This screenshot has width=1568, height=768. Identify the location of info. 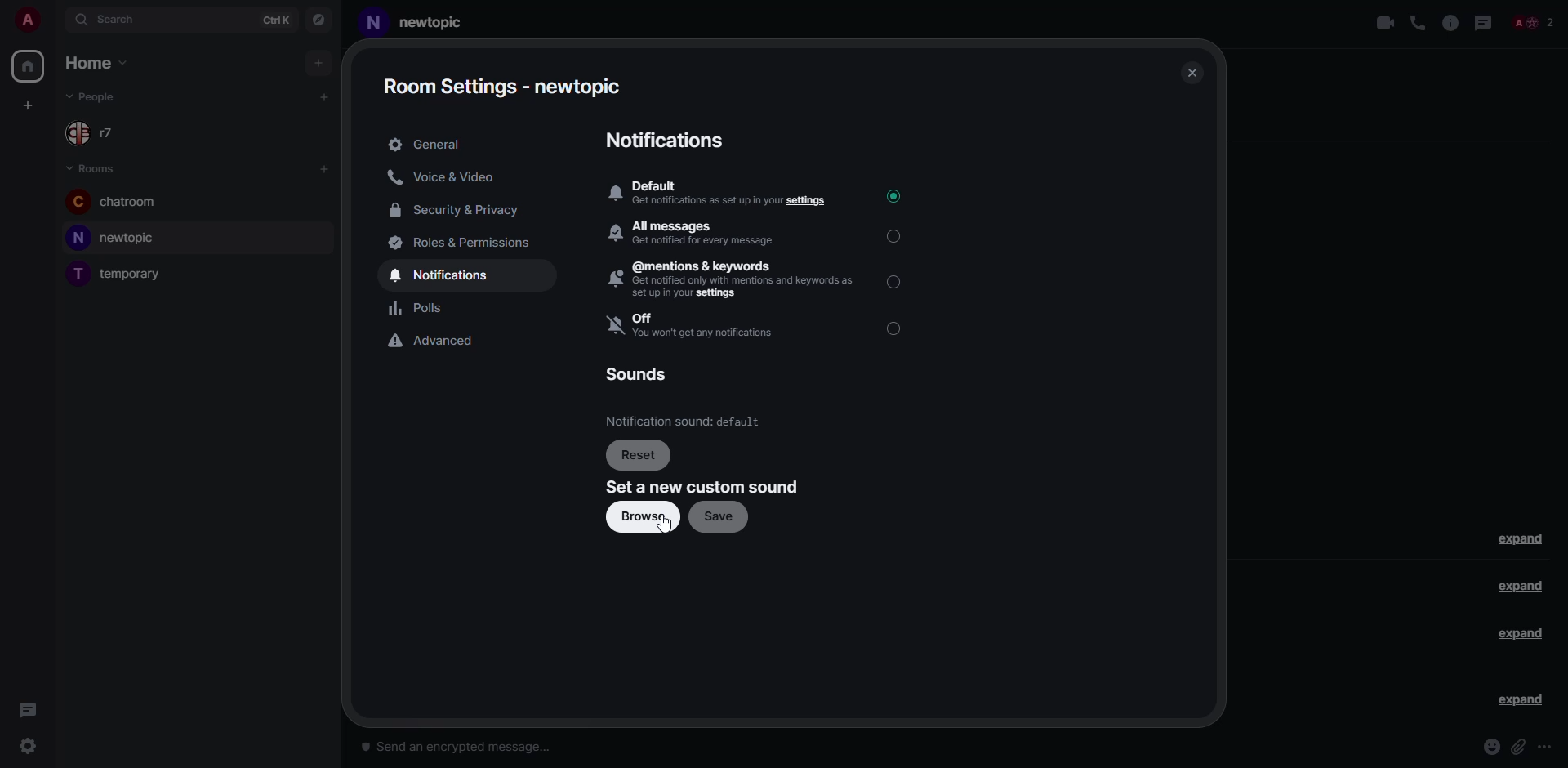
(1450, 22).